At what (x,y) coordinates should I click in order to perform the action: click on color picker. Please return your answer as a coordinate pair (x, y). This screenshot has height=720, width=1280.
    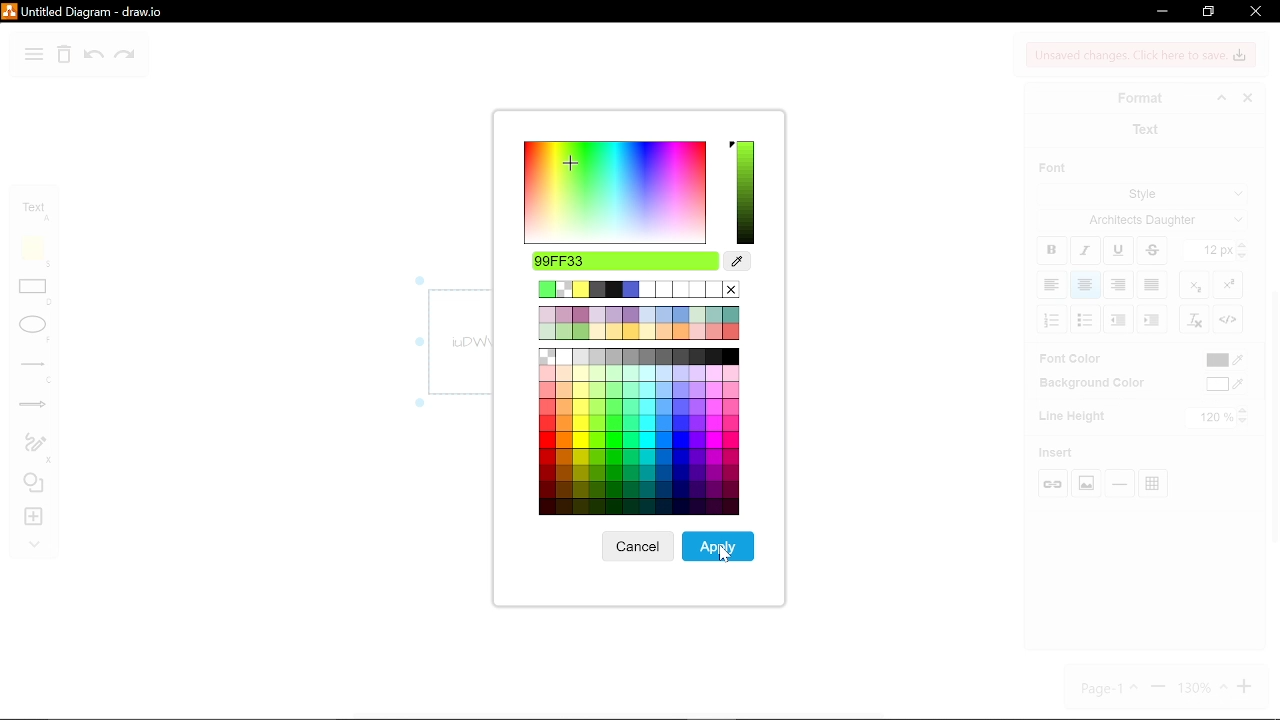
    Looking at the image, I should click on (738, 261).